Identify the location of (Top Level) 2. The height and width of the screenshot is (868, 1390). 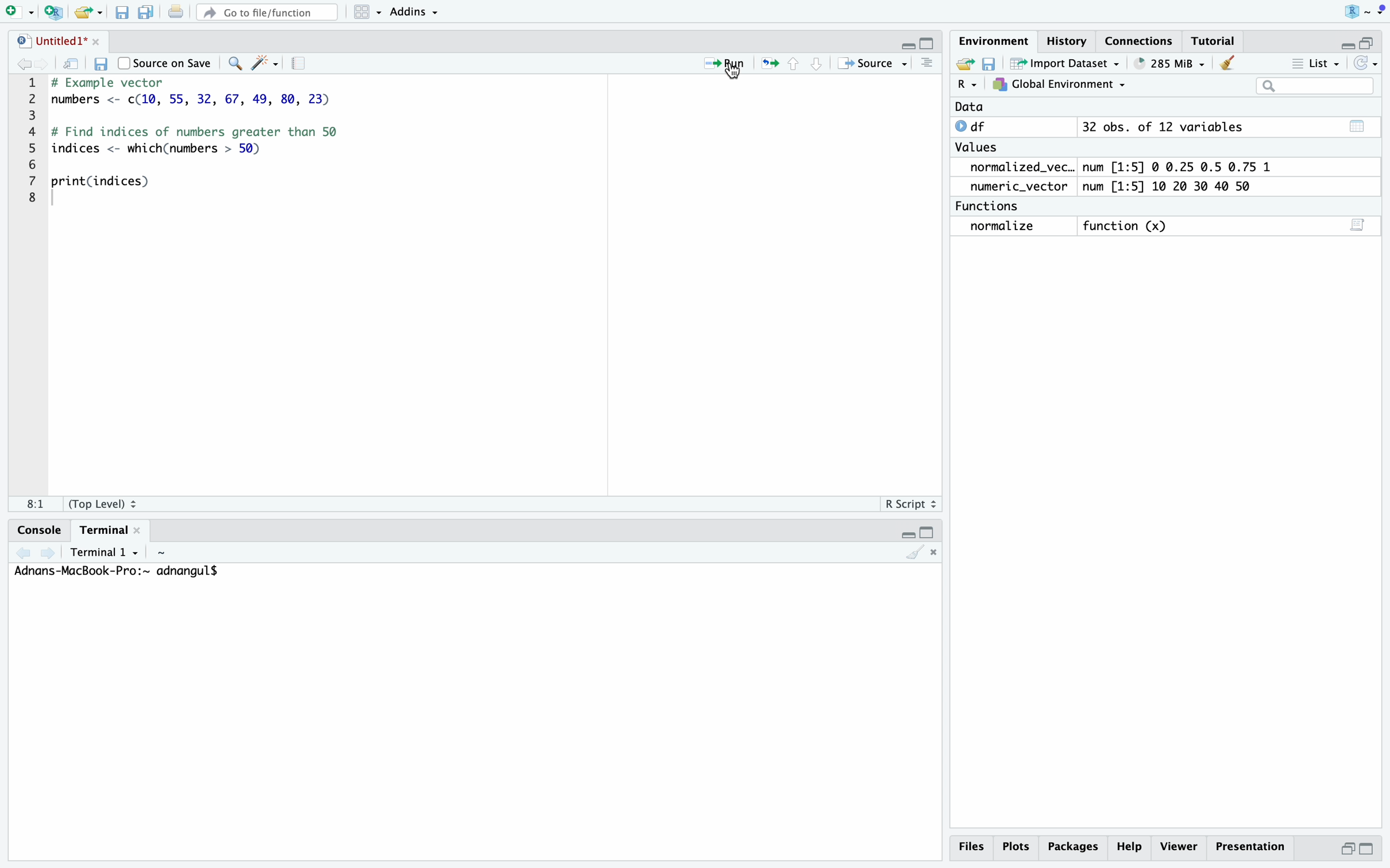
(105, 503).